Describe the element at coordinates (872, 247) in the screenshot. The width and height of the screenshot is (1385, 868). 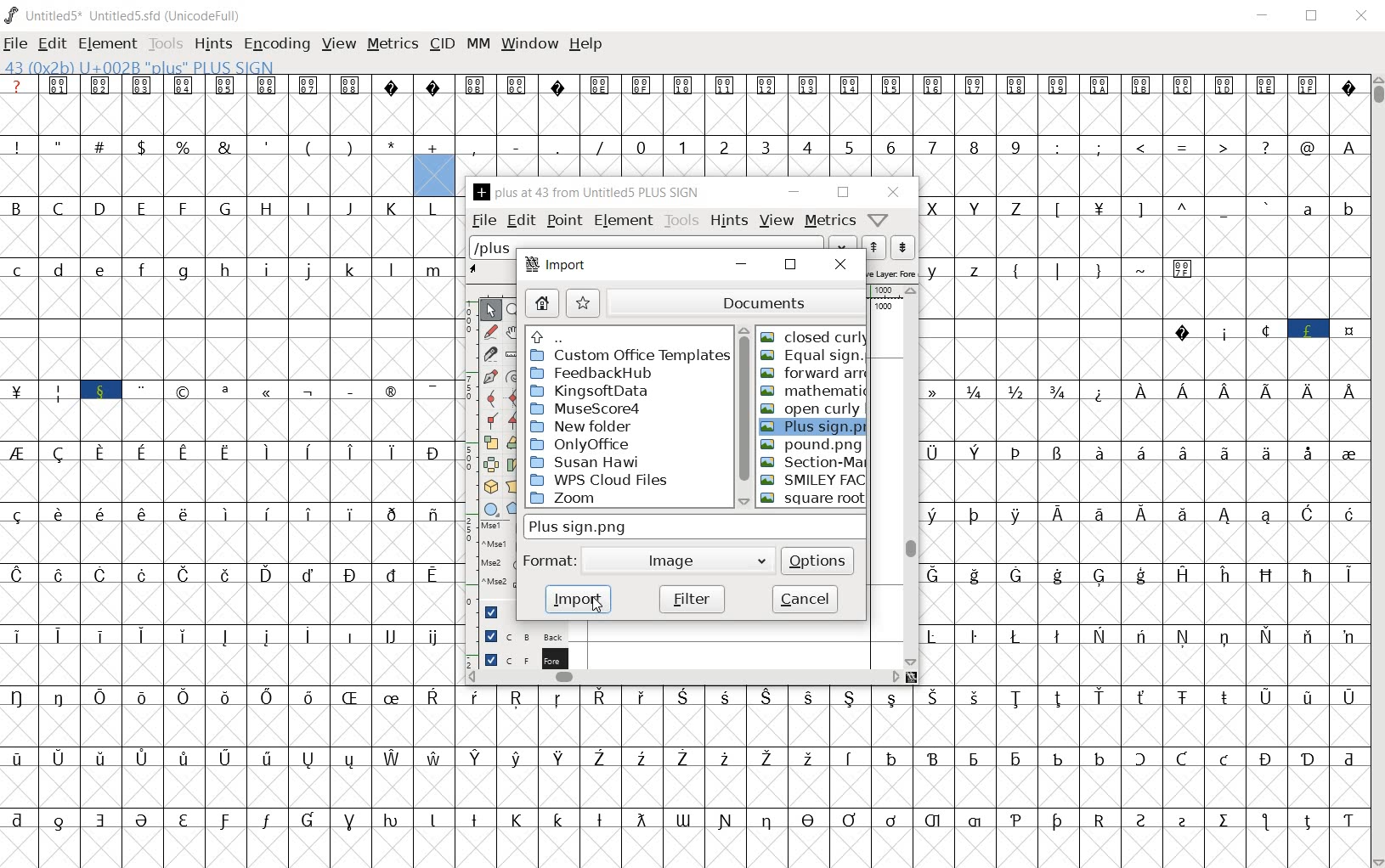
I see `show the next word on the list` at that location.